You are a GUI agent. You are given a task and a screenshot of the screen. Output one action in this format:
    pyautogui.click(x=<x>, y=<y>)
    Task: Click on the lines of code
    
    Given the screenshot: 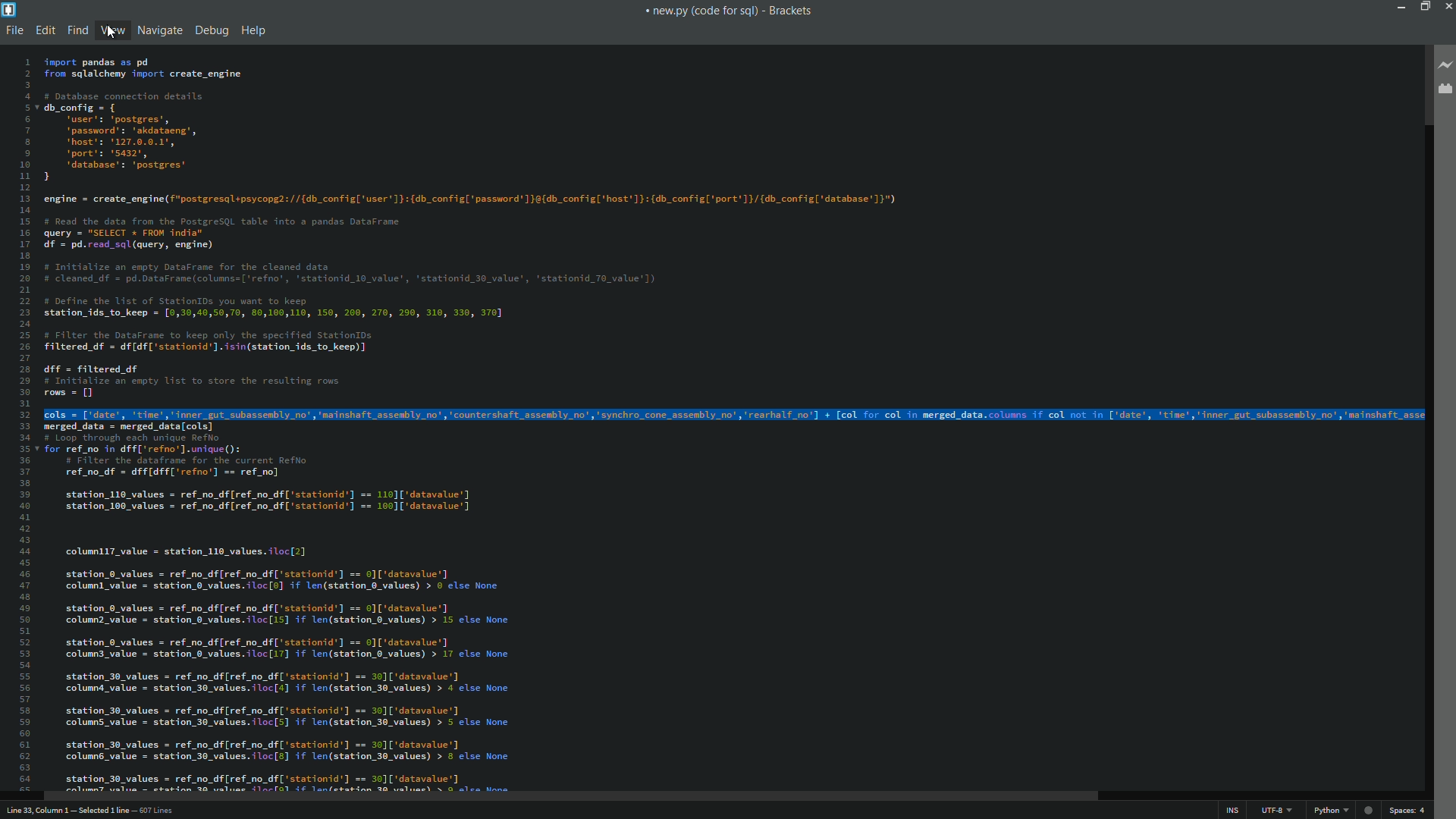 What is the action you would take?
    pyautogui.click(x=726, y=224)
    